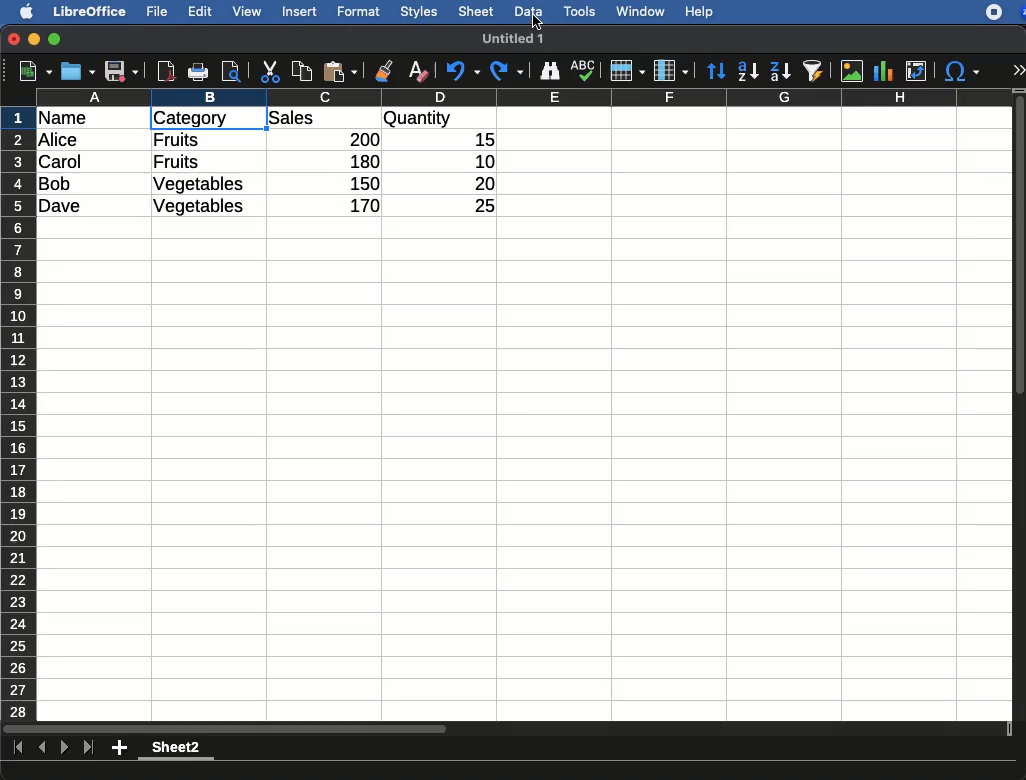  Describe the element at coordinates (300, 11) in the screenshot. I see `insert` at that location.